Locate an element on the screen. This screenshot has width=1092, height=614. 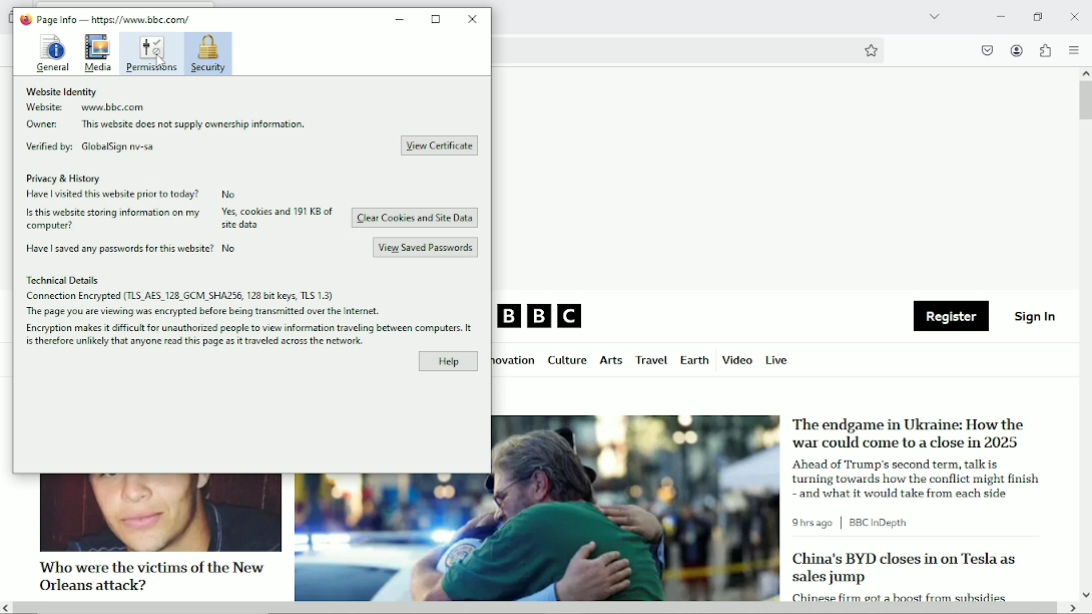
Encryption makes it difficult for unauthorized people to view information traveling between computers. it is therefore unlikely that anyone read this page as it travelled across the network. is located at coordinates (250, 334).